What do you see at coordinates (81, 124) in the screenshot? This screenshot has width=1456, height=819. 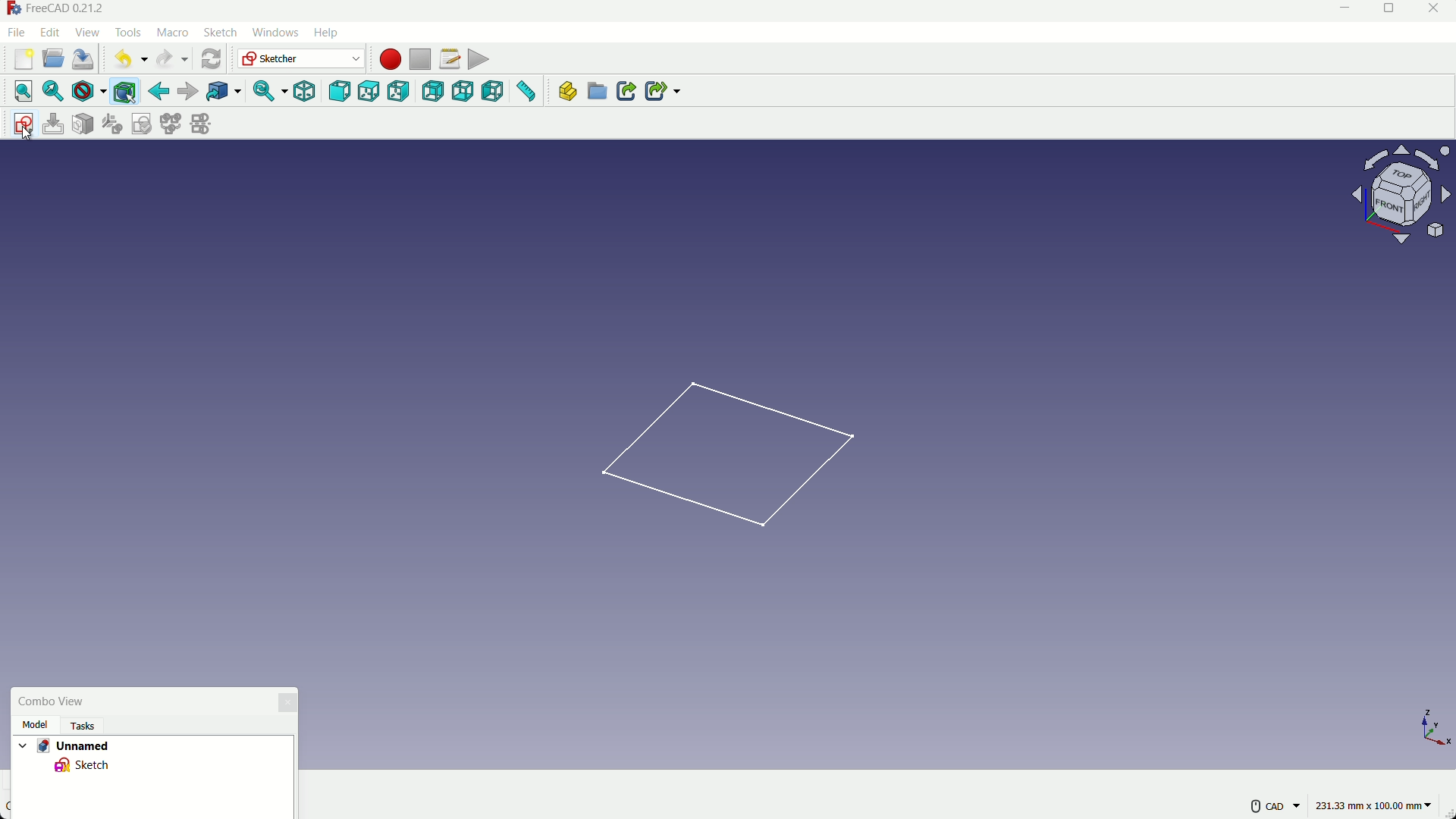 I see `mark sketch to face` at bounding box center [81, 124].